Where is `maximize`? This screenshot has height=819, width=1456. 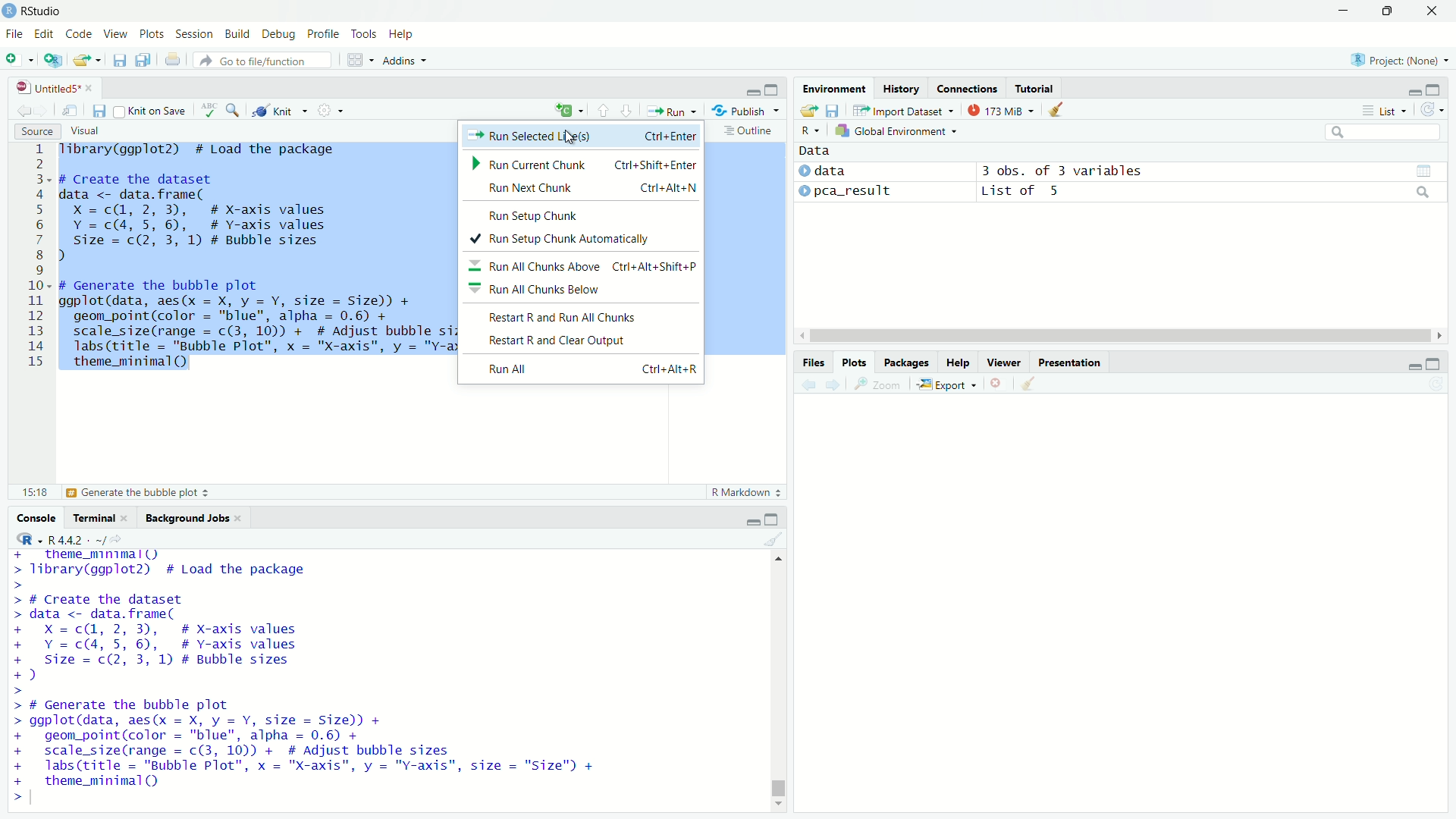 maximize is located at coordinates (1385, 11).